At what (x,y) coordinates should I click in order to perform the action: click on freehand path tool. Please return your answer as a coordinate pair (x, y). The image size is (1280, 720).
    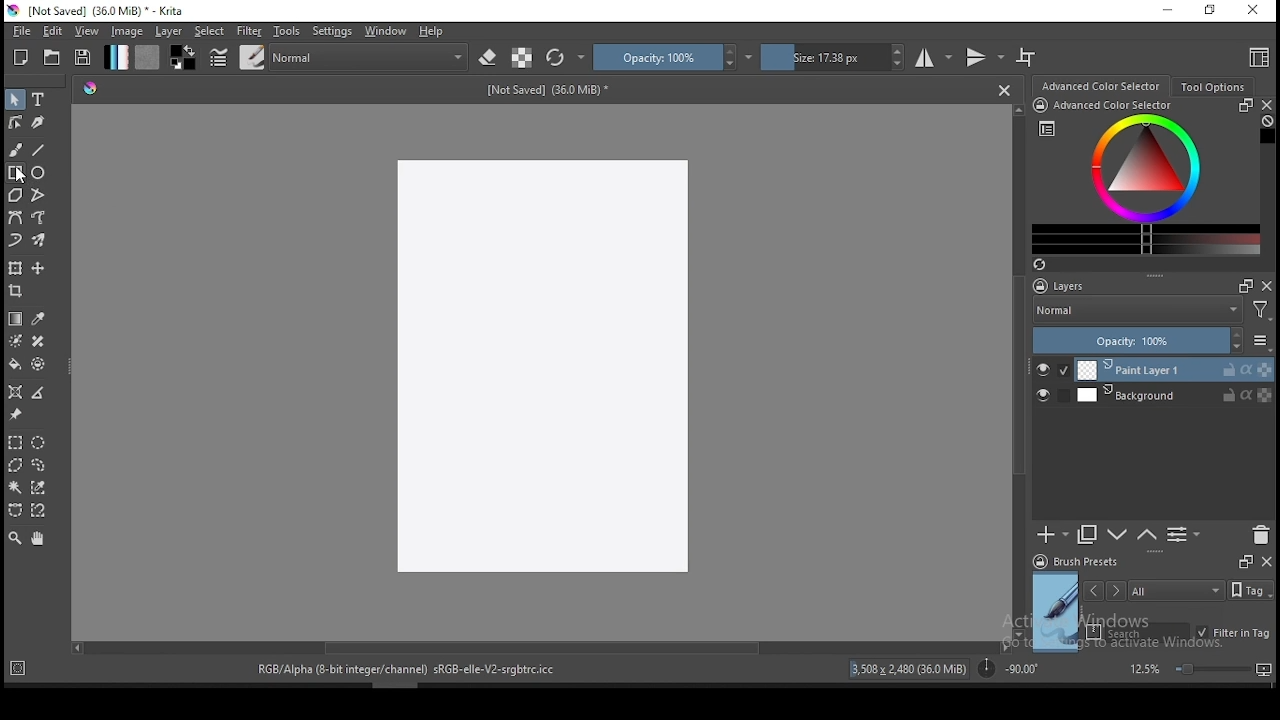
    Looking at the image, I should click on (40, 218).